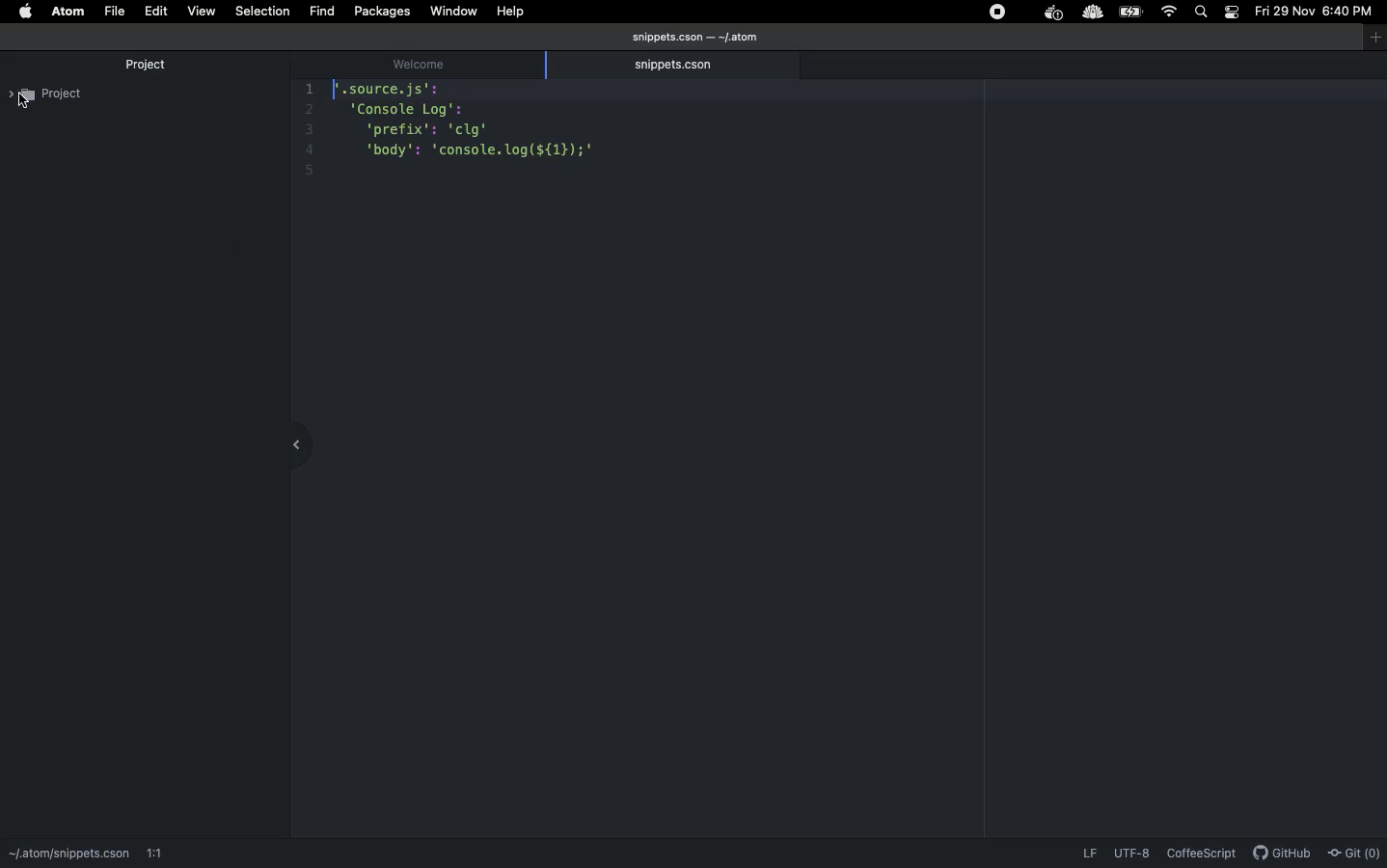 Image resolution: width=1387 pixels, height=868 pixels. I want to click on Selection, so click(265, 12).